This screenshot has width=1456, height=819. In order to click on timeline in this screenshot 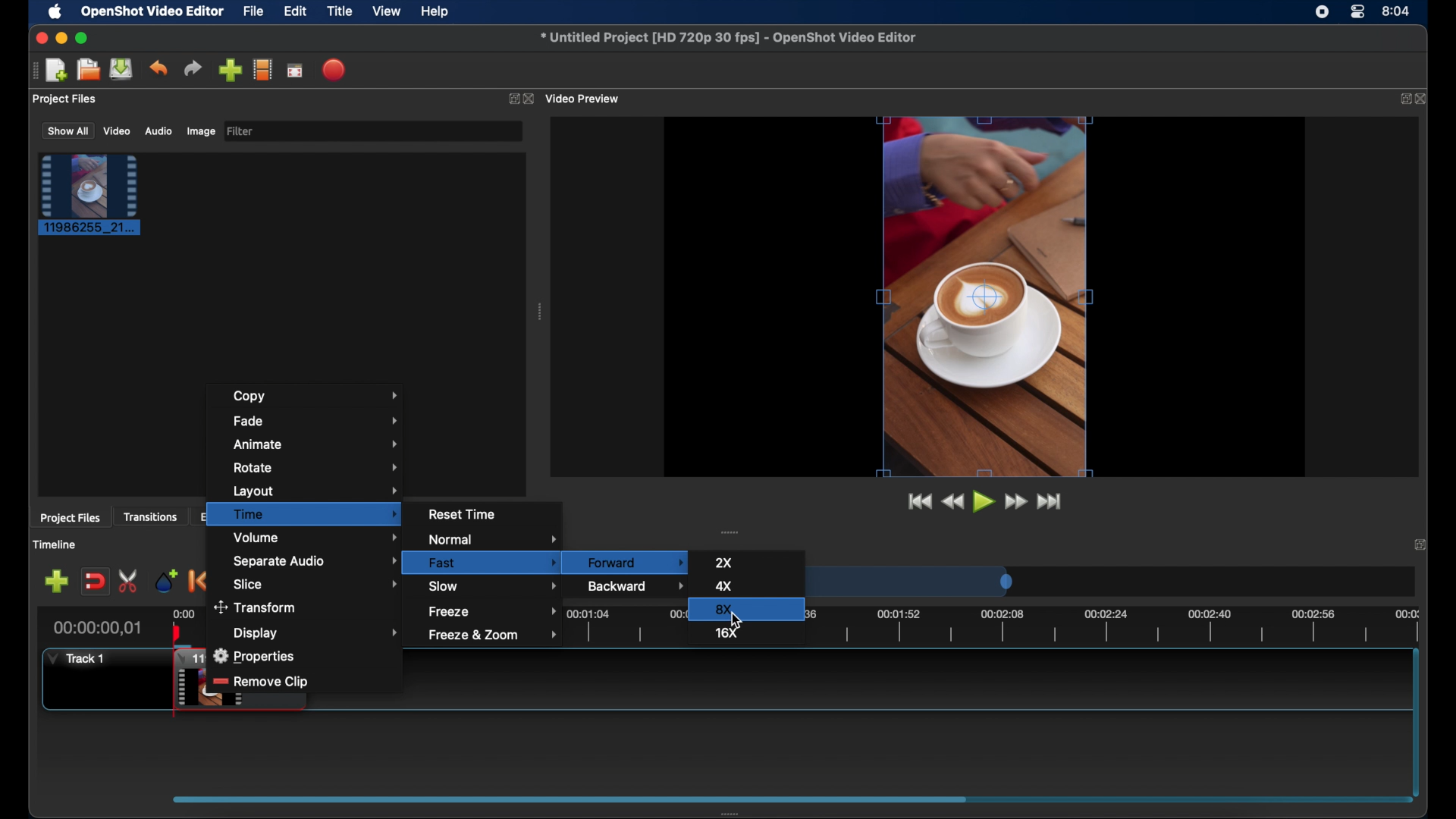, I will do `click(56, 544)`.